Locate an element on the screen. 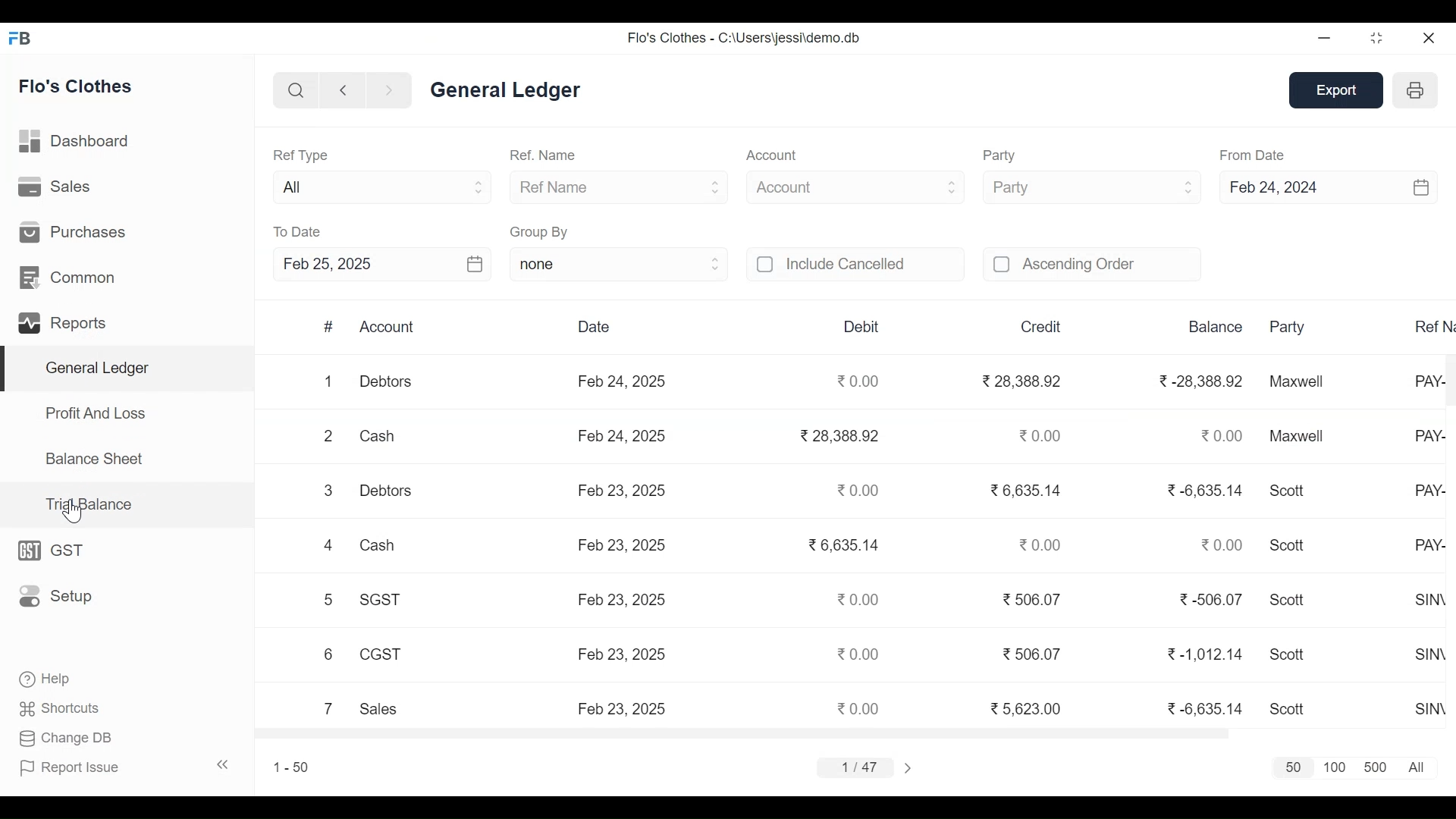 Image resolution: width=1456 pixels, height=819 pixels. Maxwell is located at coordinates (1297, 435).